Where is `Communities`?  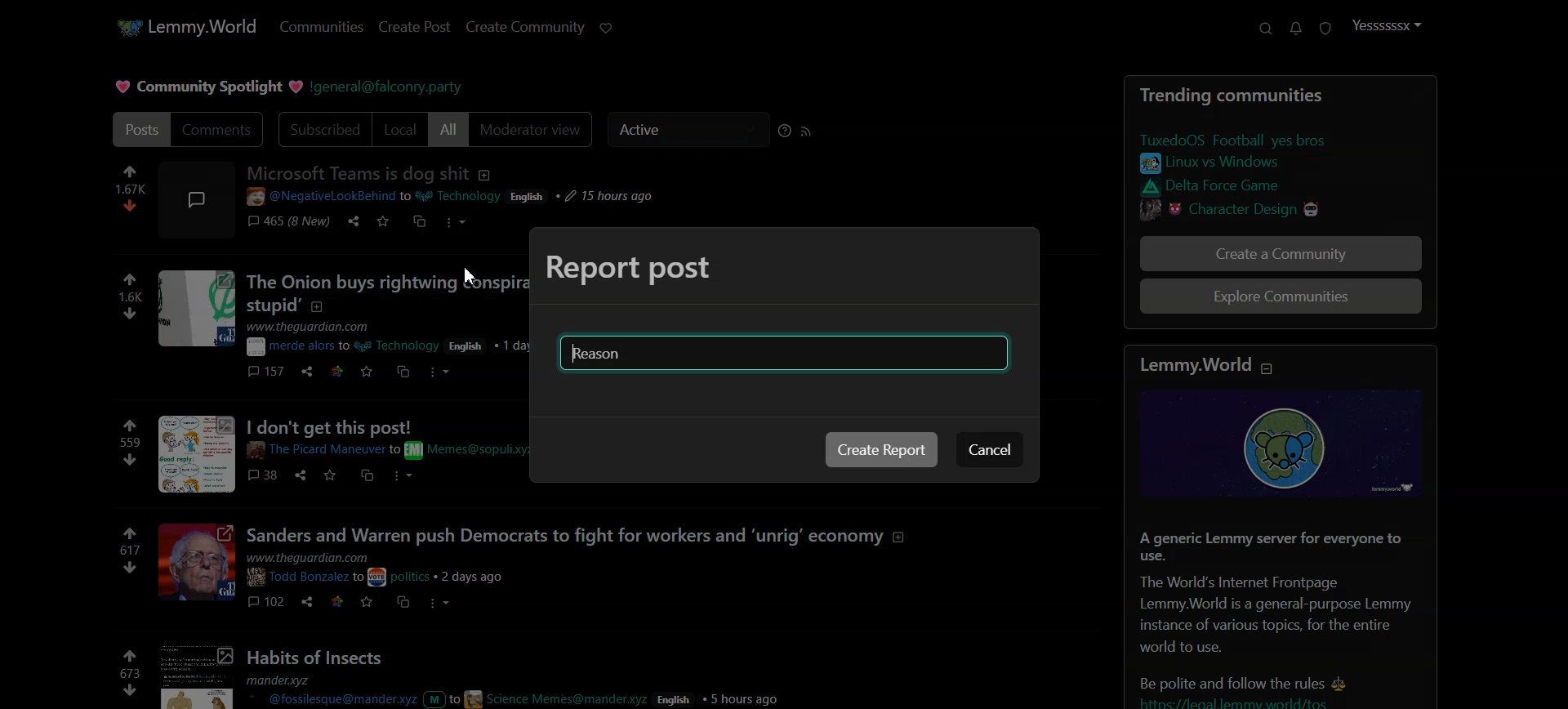 Communities is located at coordinates (322, 26).